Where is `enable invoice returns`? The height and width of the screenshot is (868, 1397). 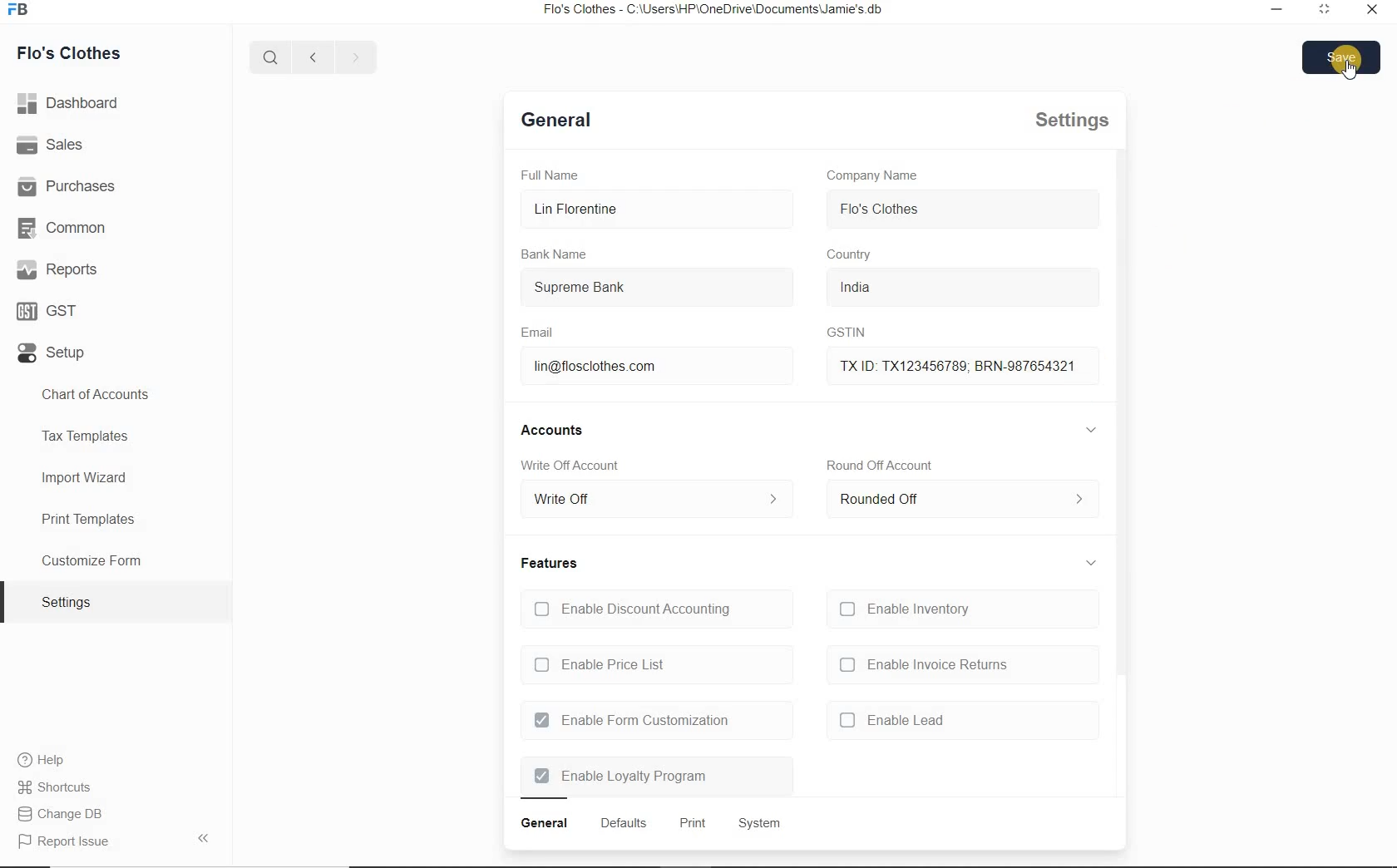
enable invoice returns is located at coordinates (923, 665).